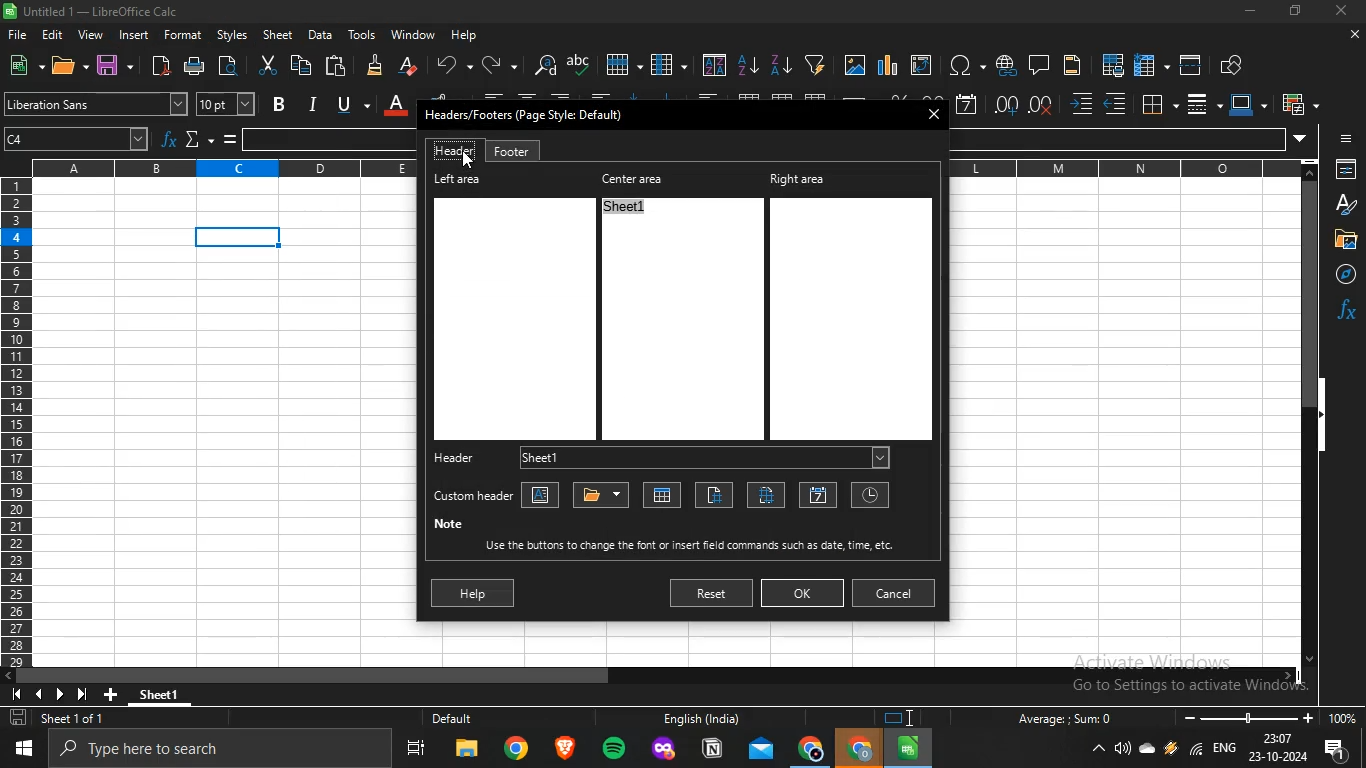 Image resolution: width=1366 pixels, height=768 pixels. I want to click on border color, so click(1244, 103).